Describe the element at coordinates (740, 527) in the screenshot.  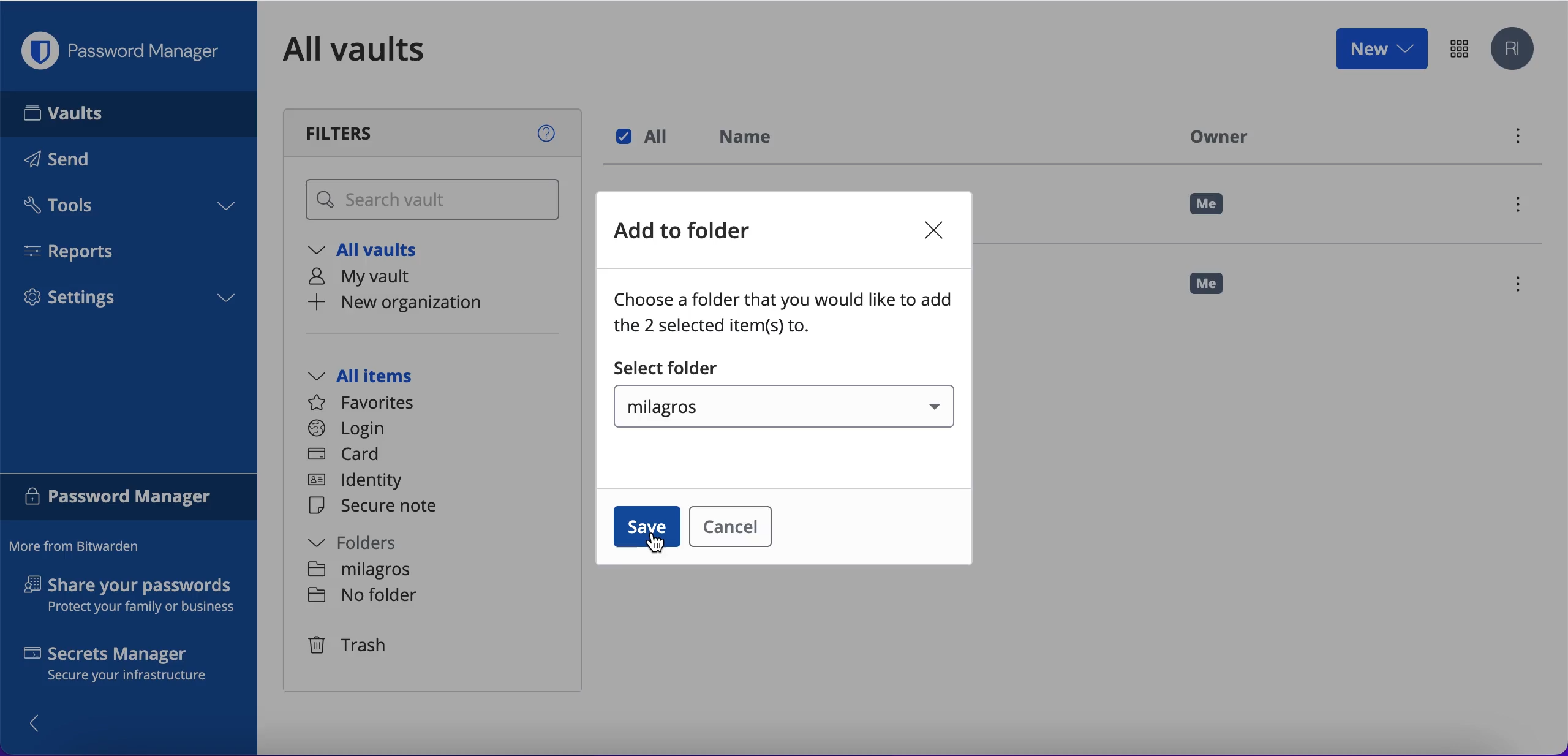
I see `cancel` at that location.